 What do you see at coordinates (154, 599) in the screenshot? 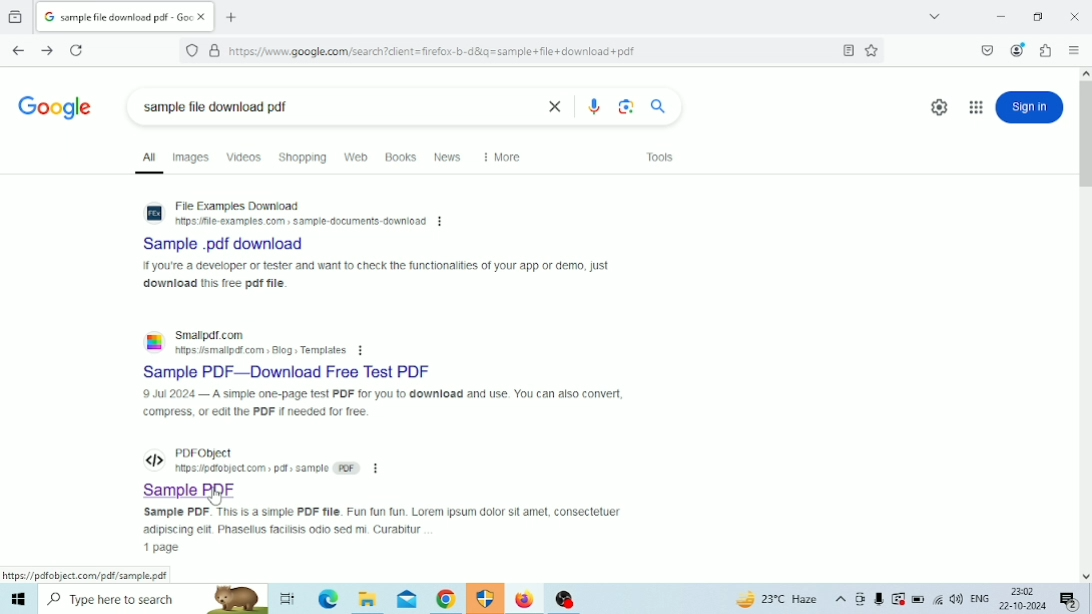
I see `Type here to search` at bounding box center [154, 599].